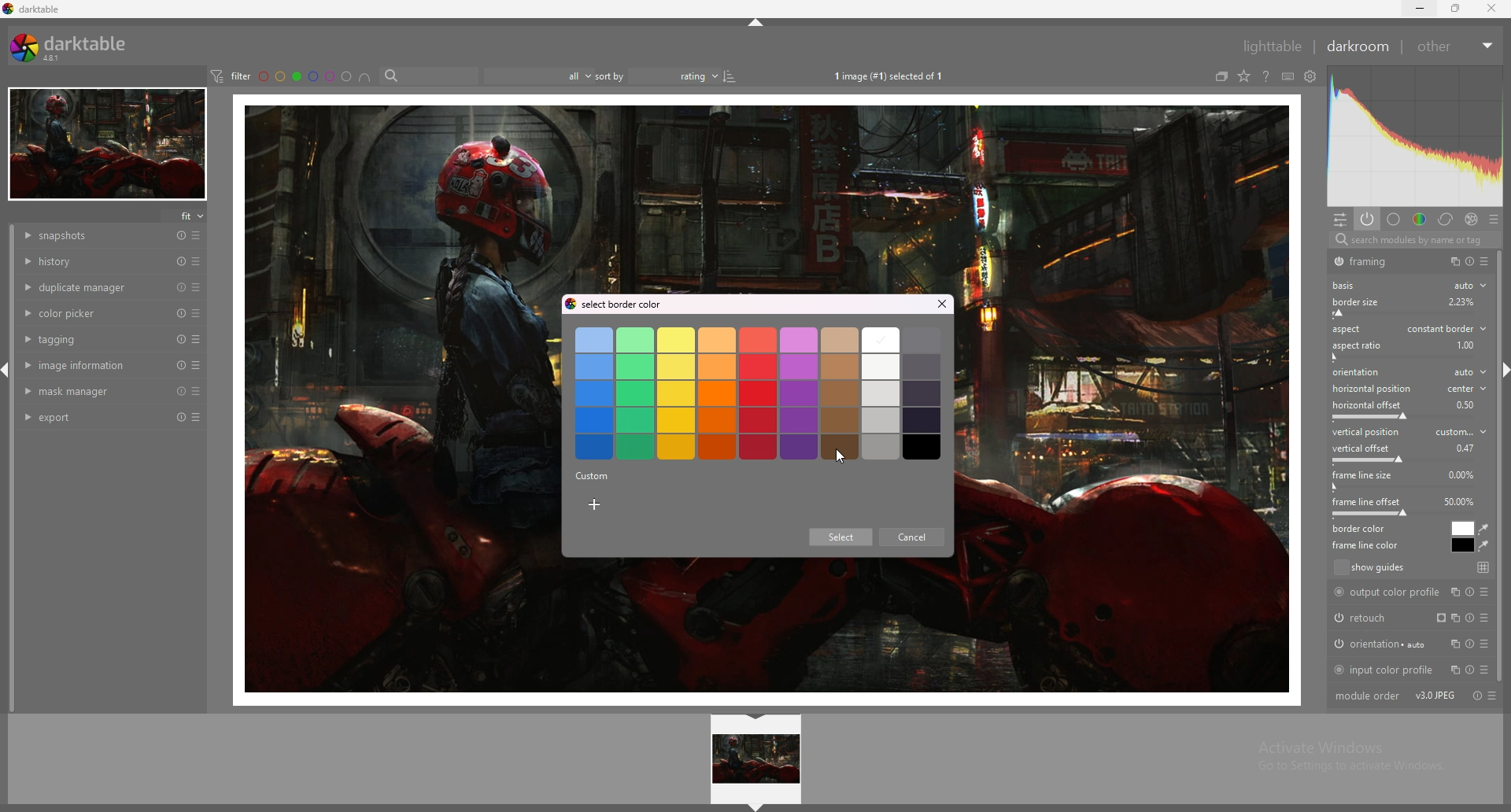 The width and height of the screenshot is (1511, 812). I want to click on presets, so click(197, 261).